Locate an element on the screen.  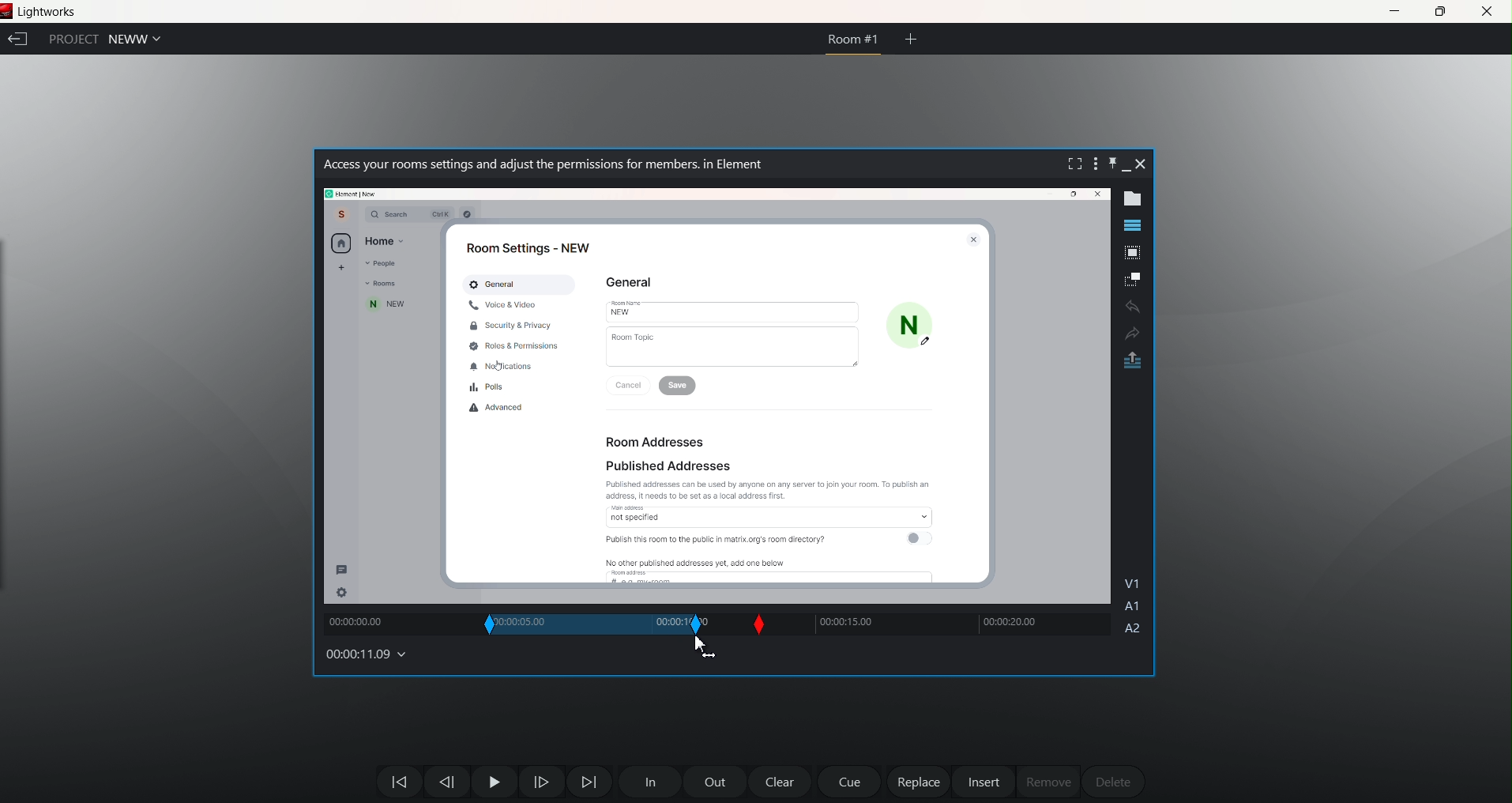
Home is located at coordinates (386, 241).